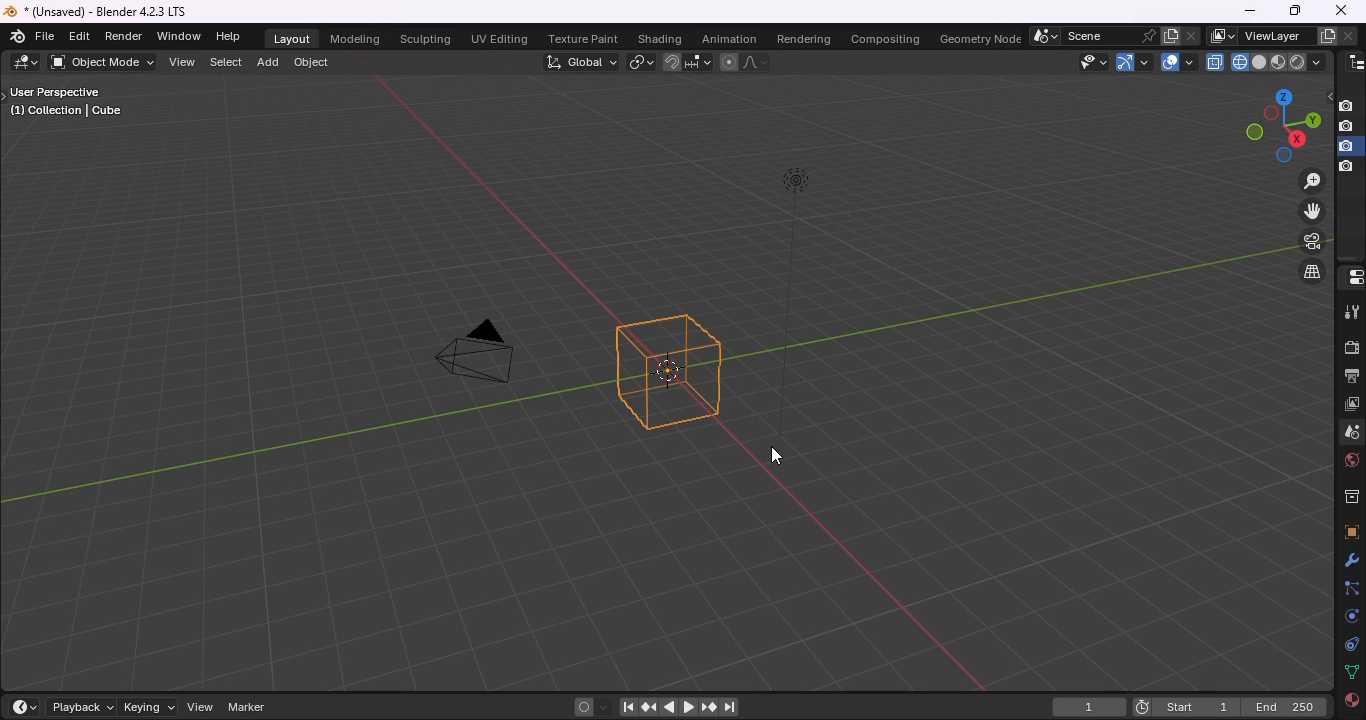 Image resolution: width=1366 pixels, height=720 pixels. What do you see at coordinates (886, 40) in the screenshot?
I see `composting` at bounding box center [886, 40].